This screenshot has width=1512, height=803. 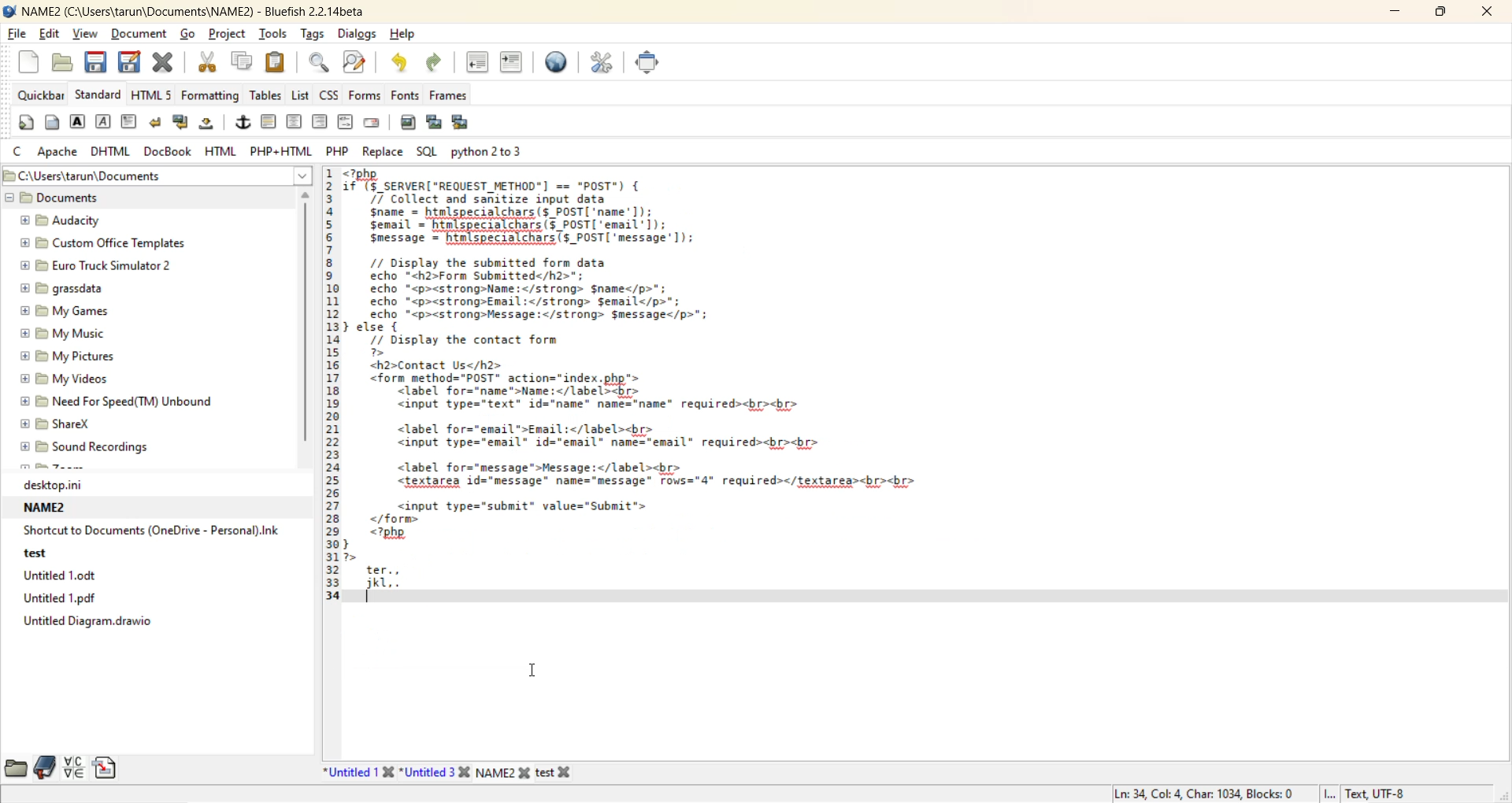 I want to click on formatting, so click(x=209, y=96).